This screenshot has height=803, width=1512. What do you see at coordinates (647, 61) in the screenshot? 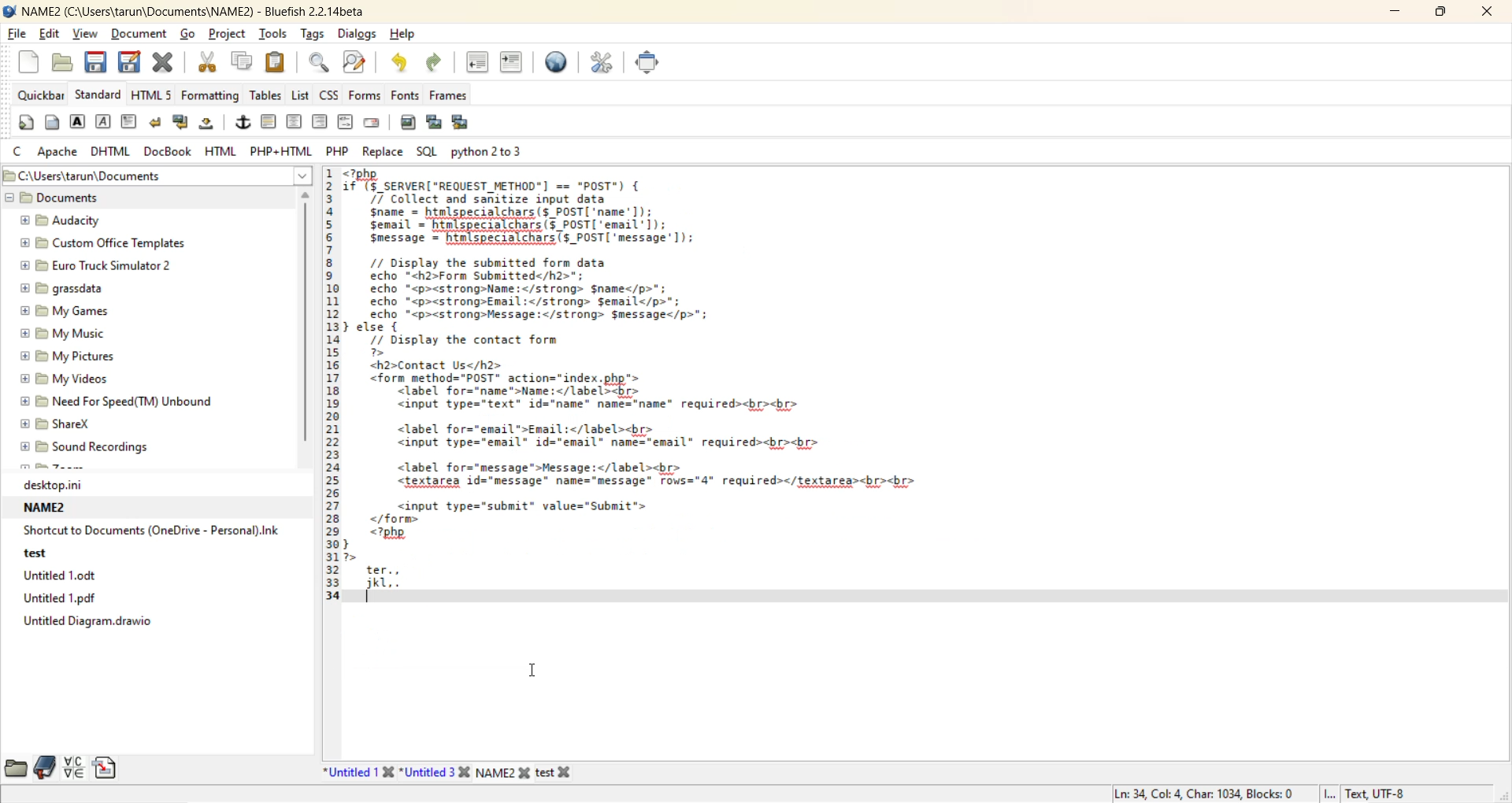
I see `fullscreen` at bounding box center [647, 61].